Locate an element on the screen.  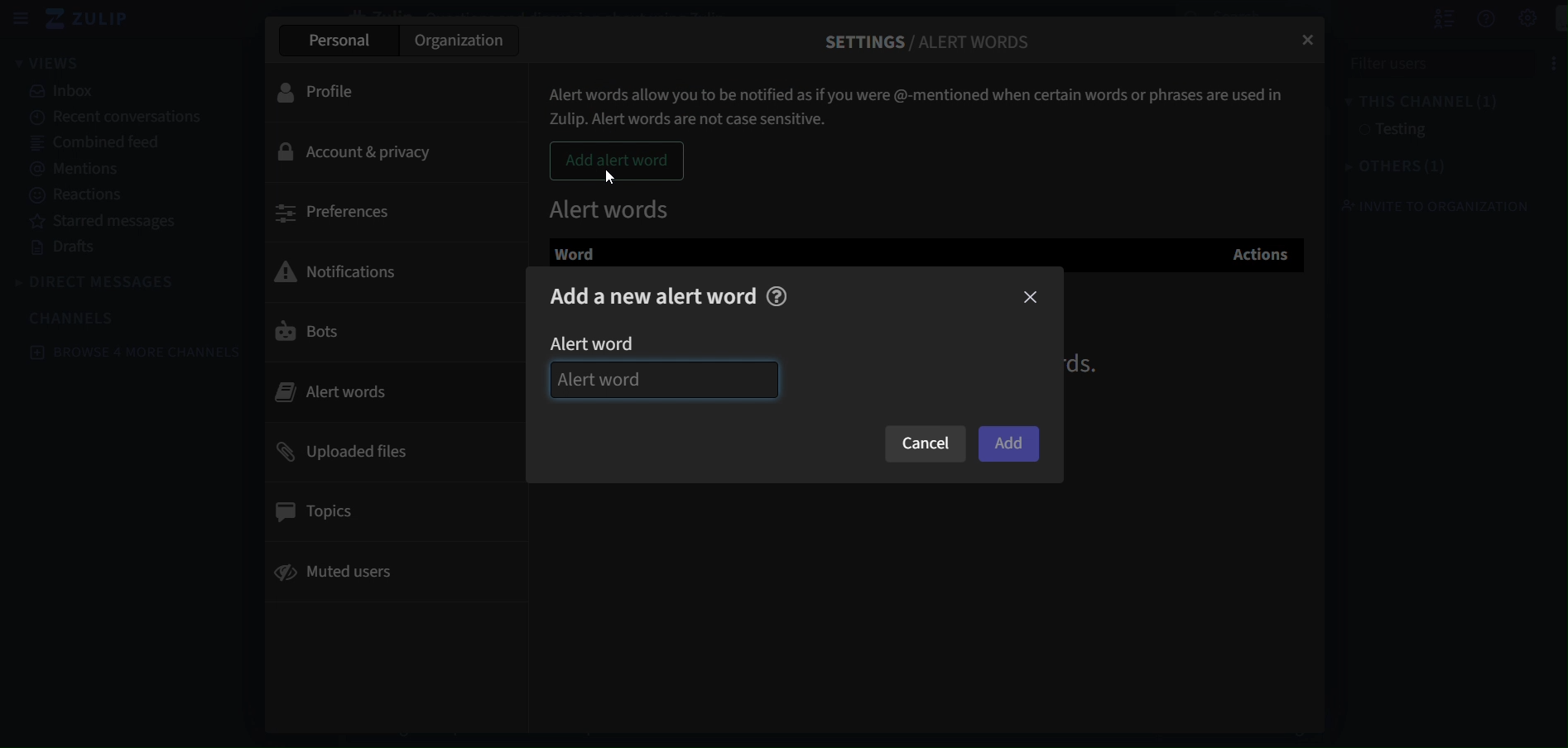
topics is located at coordinates (318, 509).